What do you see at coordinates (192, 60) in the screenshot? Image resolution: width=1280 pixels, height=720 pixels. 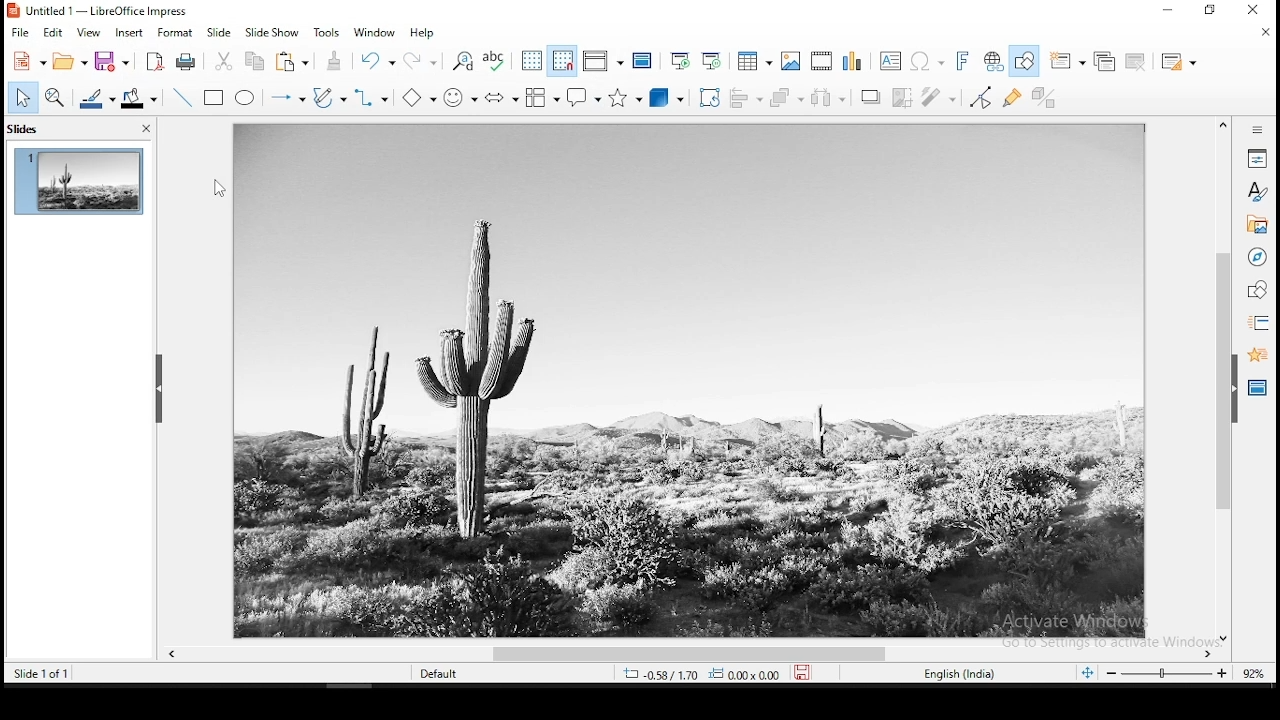 I see `print` at bounding box center [192, 60].